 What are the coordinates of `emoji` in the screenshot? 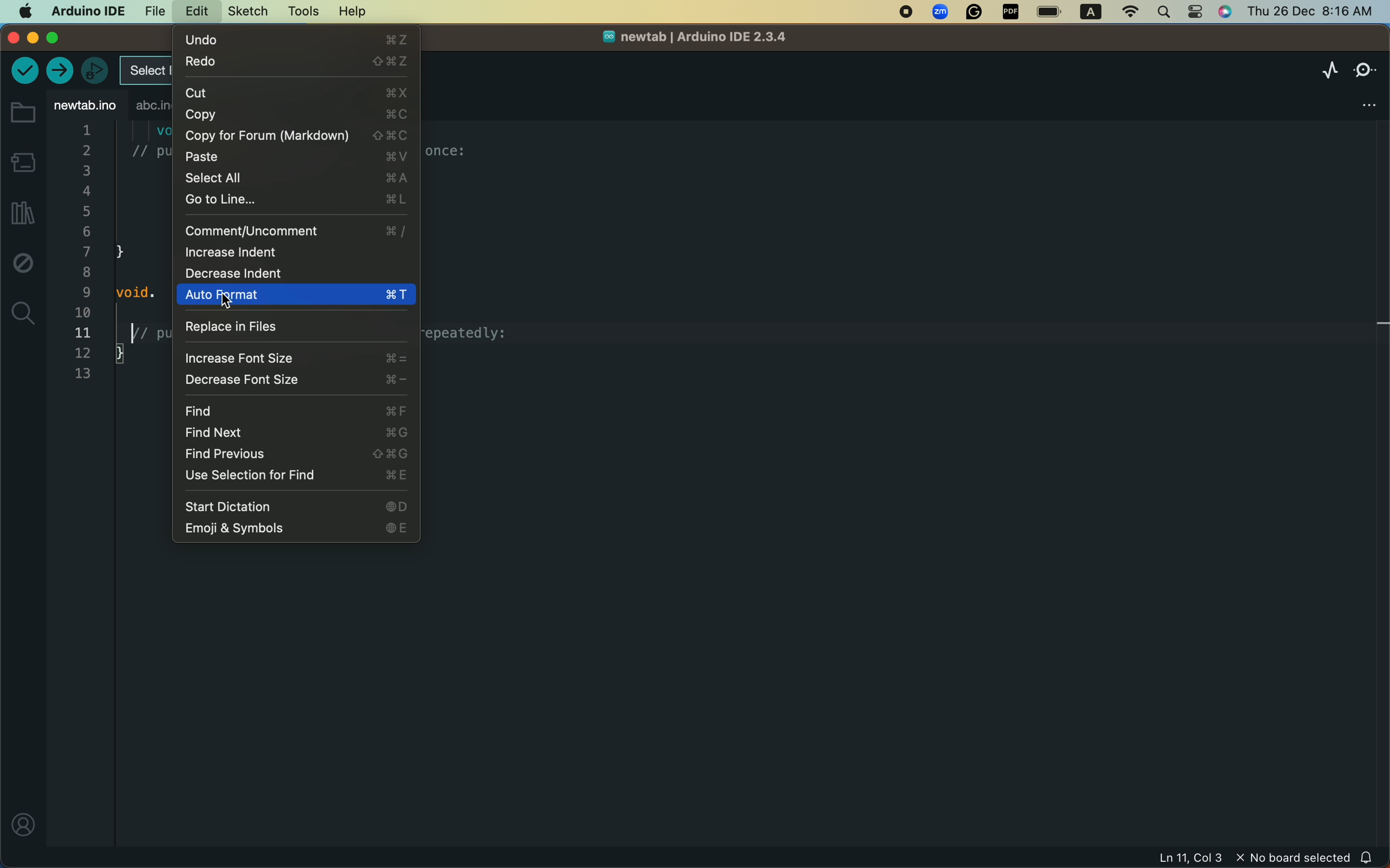 It's located at (296, 529).